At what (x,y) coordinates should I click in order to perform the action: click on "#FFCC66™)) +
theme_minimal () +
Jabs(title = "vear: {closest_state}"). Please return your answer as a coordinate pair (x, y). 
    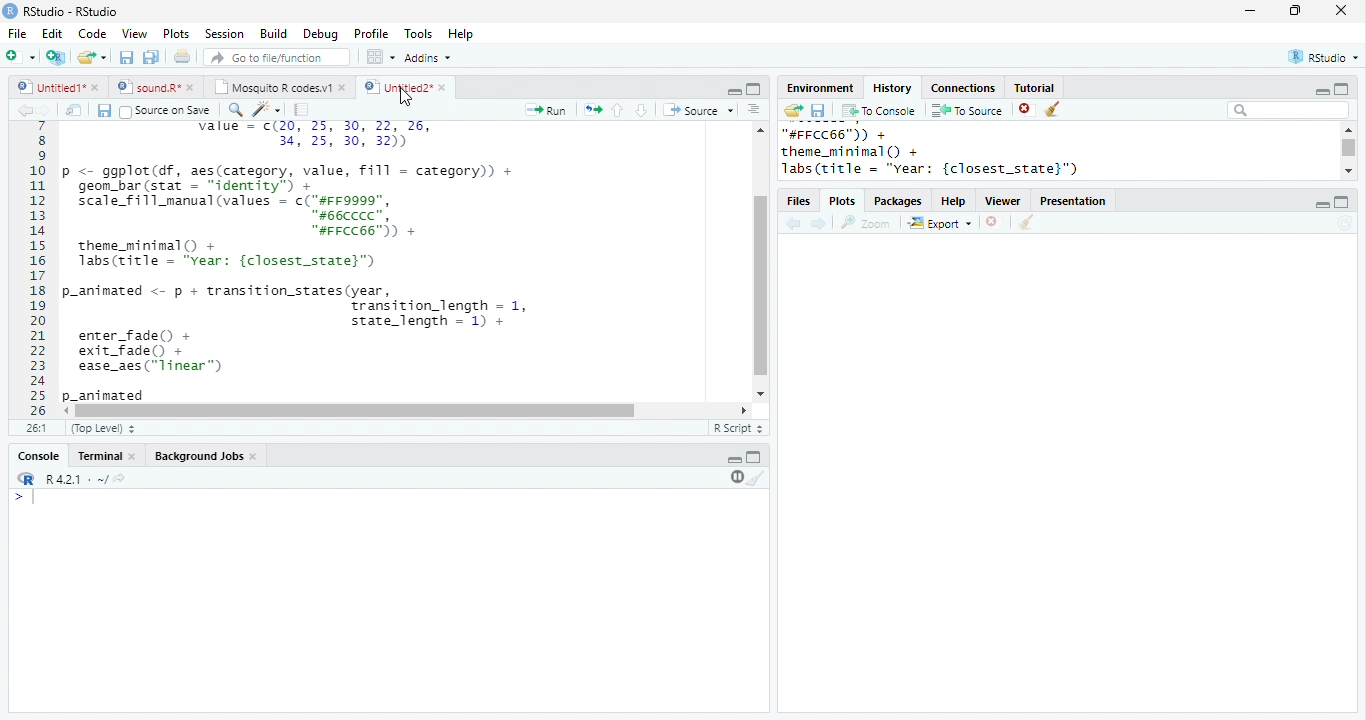
    Looking at the image, I should click on (948, 152).